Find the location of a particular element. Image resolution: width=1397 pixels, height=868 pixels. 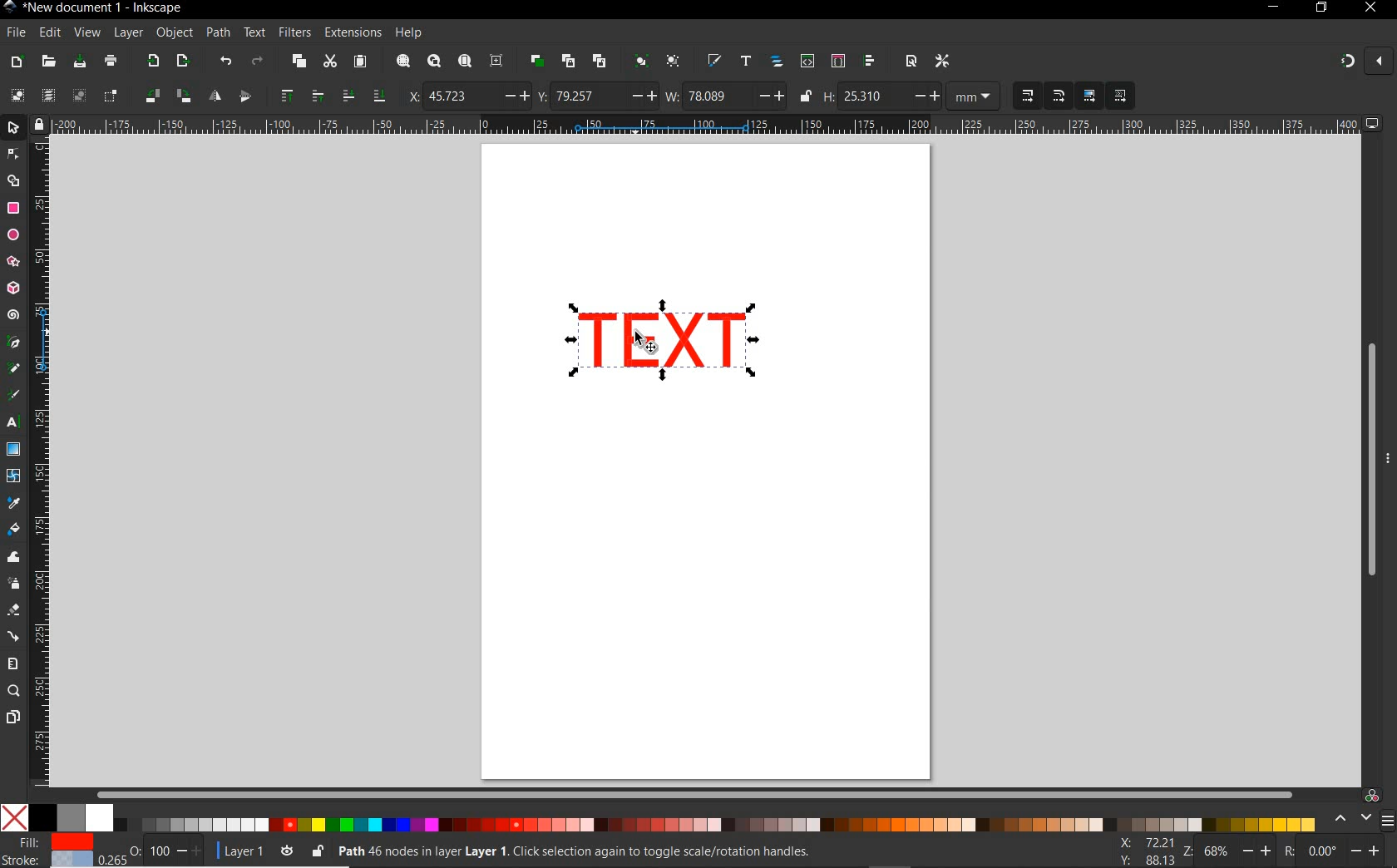

UNGROUP is located at coordinates (674, 62).